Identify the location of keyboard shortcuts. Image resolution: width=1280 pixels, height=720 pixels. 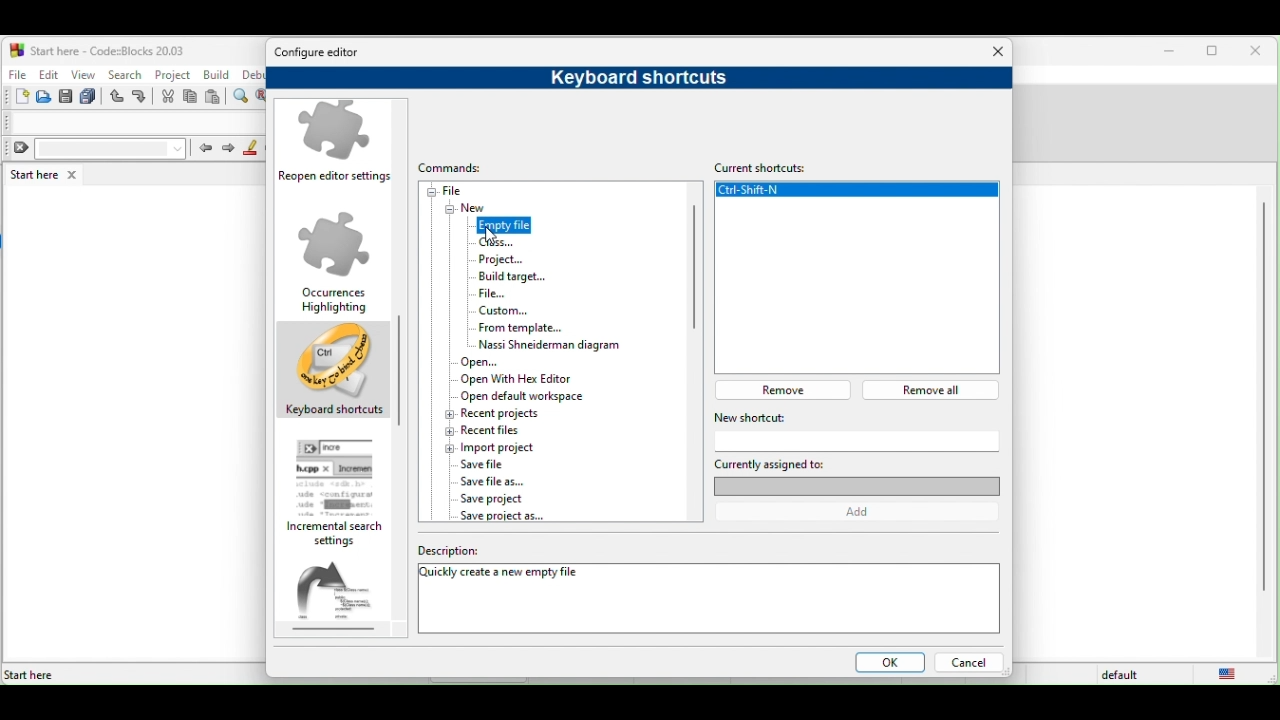
(334, 373).